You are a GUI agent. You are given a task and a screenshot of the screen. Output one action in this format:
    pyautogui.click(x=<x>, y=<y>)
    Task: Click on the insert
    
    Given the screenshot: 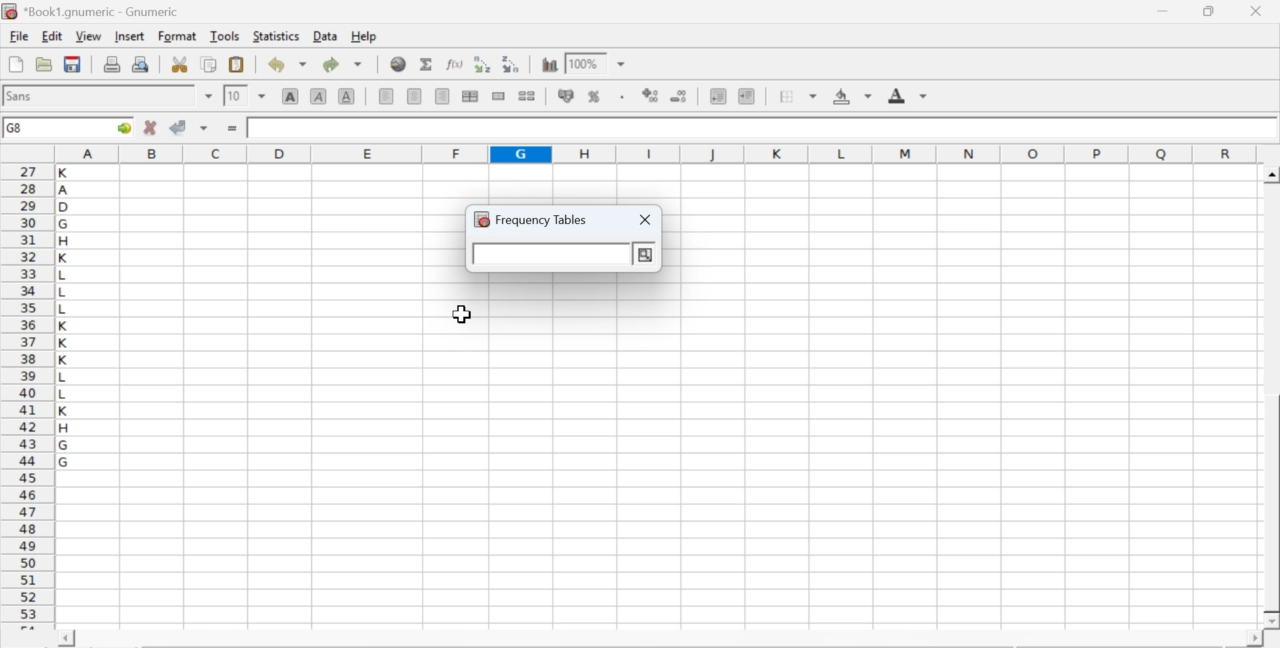 What is the action you would take?
    pyautogui.click(x=128, y=35)
    